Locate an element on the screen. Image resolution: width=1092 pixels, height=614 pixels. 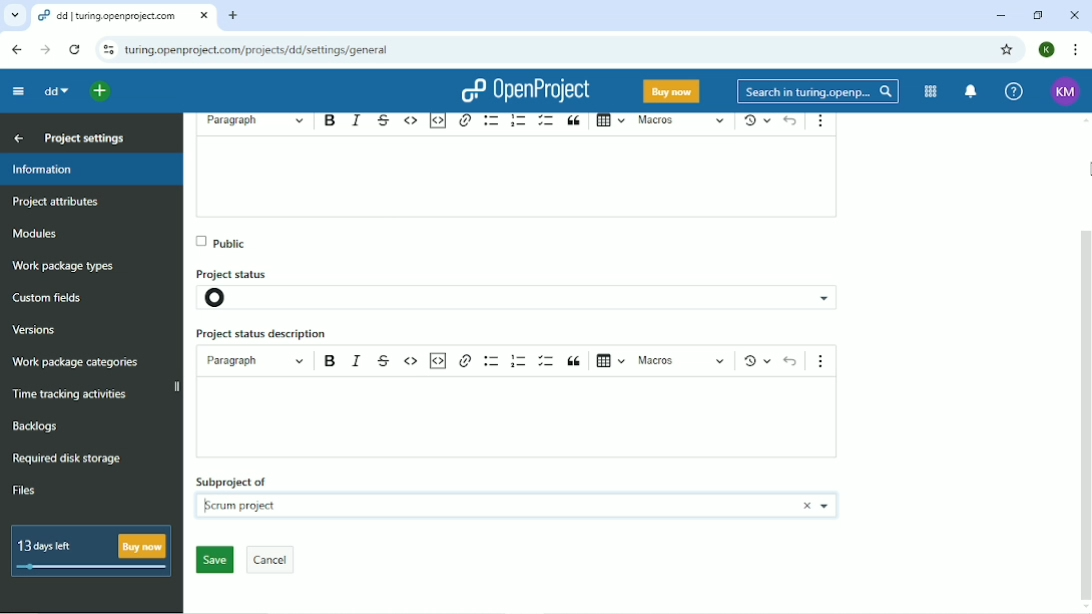
Block quote is located at coordinates (575, 361).